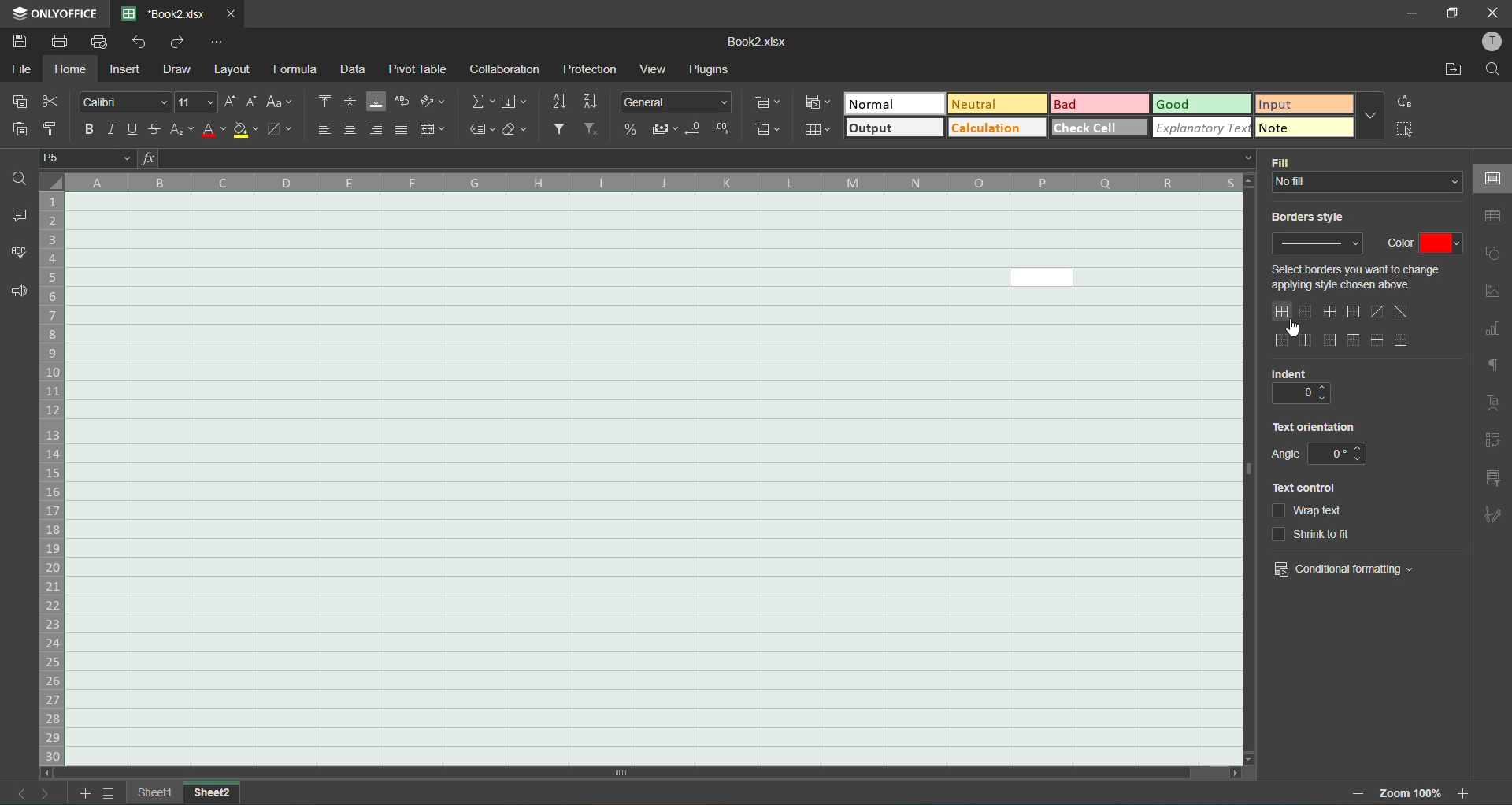 This screenshot has height=805, width=1512. Describe the element at coordinates (1494, 218) in the screenshot. I see `table` at that location.